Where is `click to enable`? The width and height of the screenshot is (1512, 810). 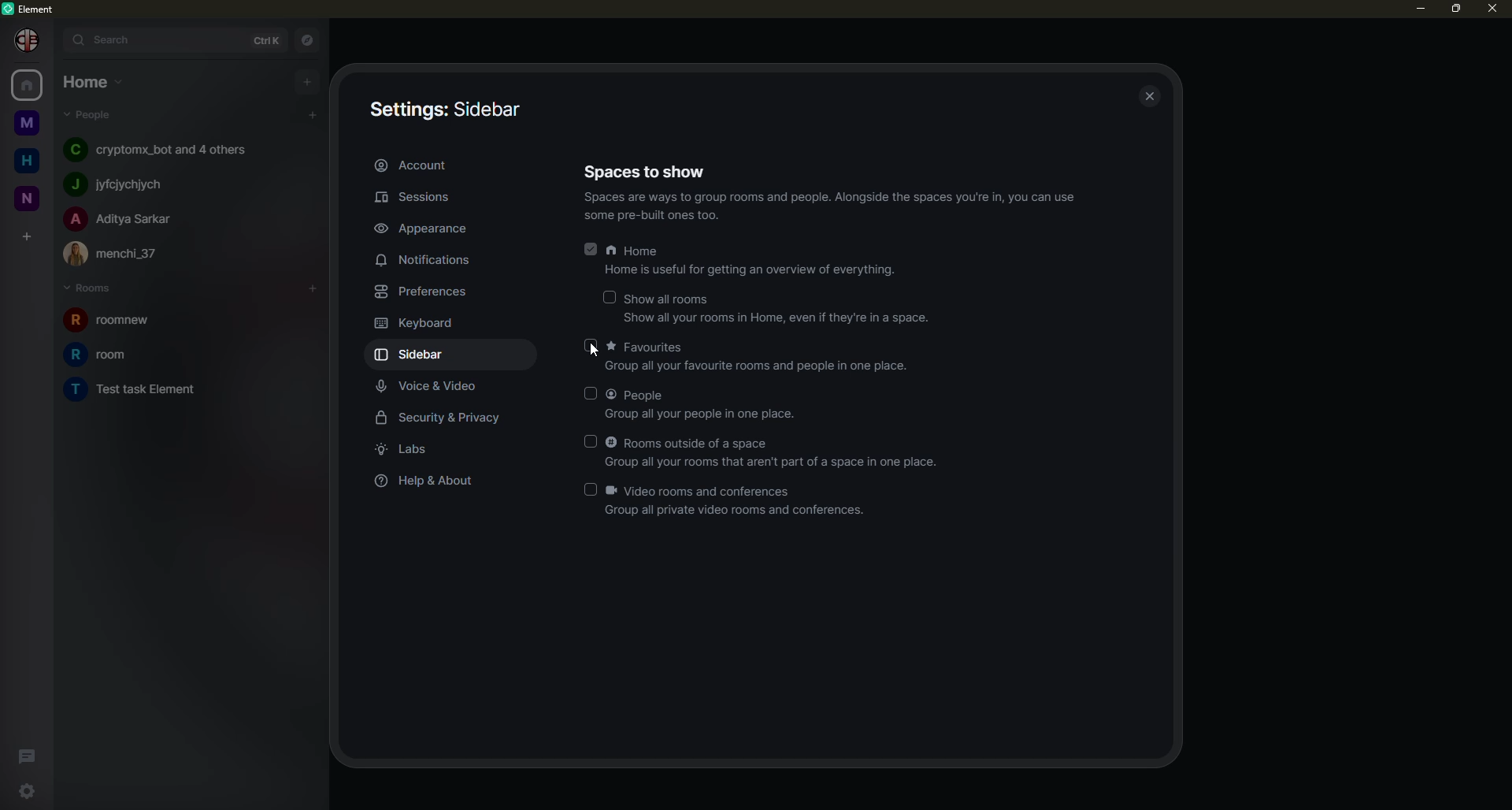 click to enable is located at coordinates (592, 489).